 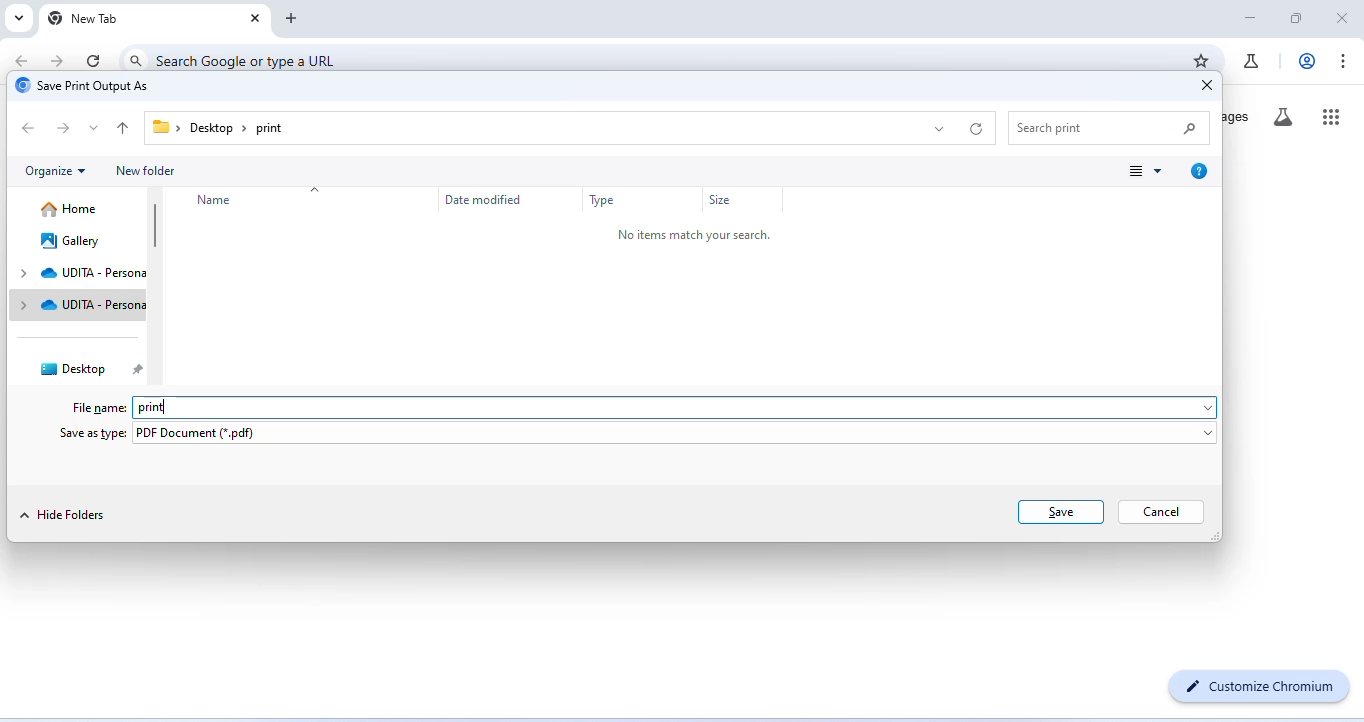 I want to click on hide folders, so click(x=63, y=515).